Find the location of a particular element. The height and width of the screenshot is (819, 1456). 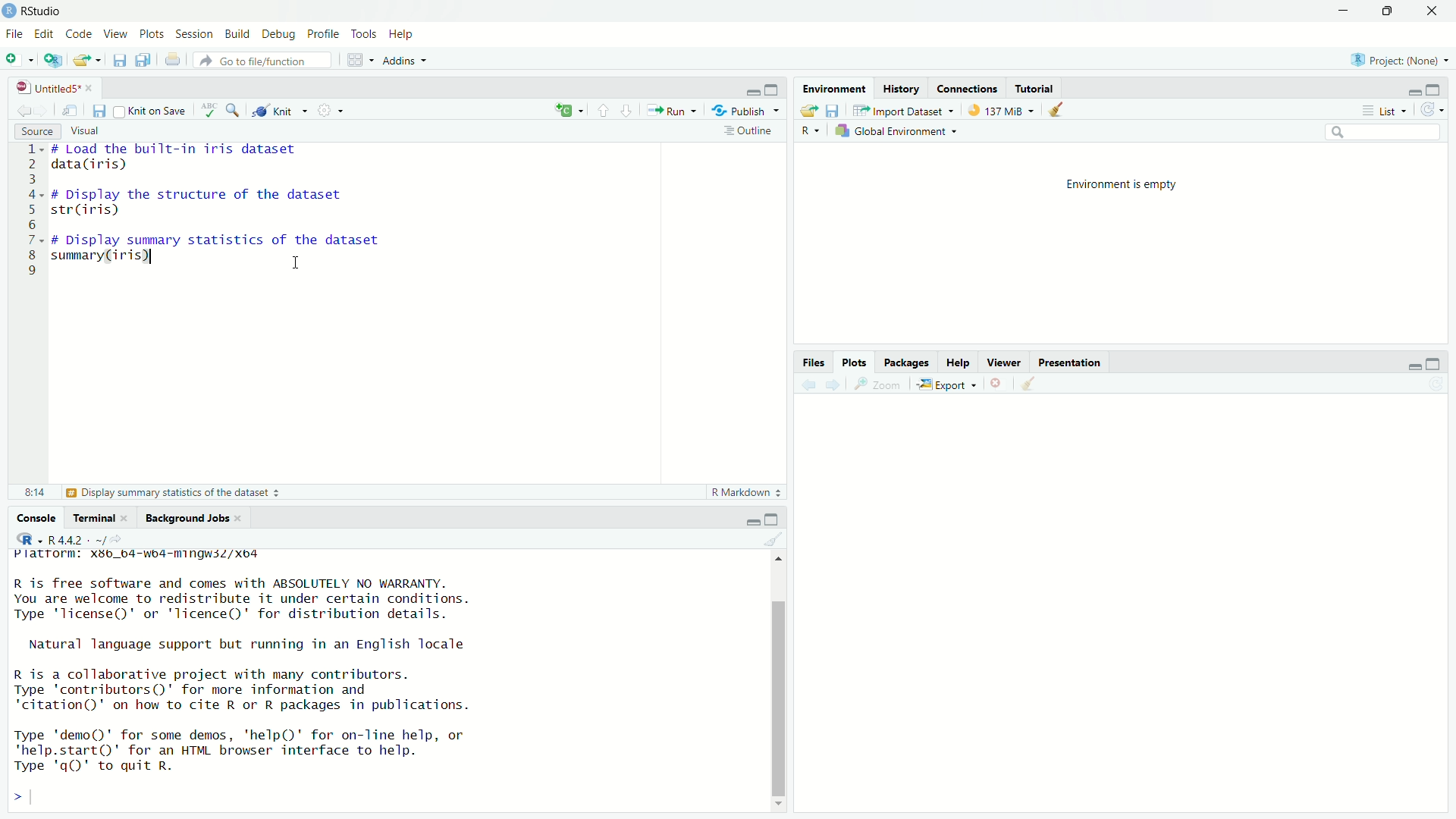

Open new file is located at coordinates (19, 59).